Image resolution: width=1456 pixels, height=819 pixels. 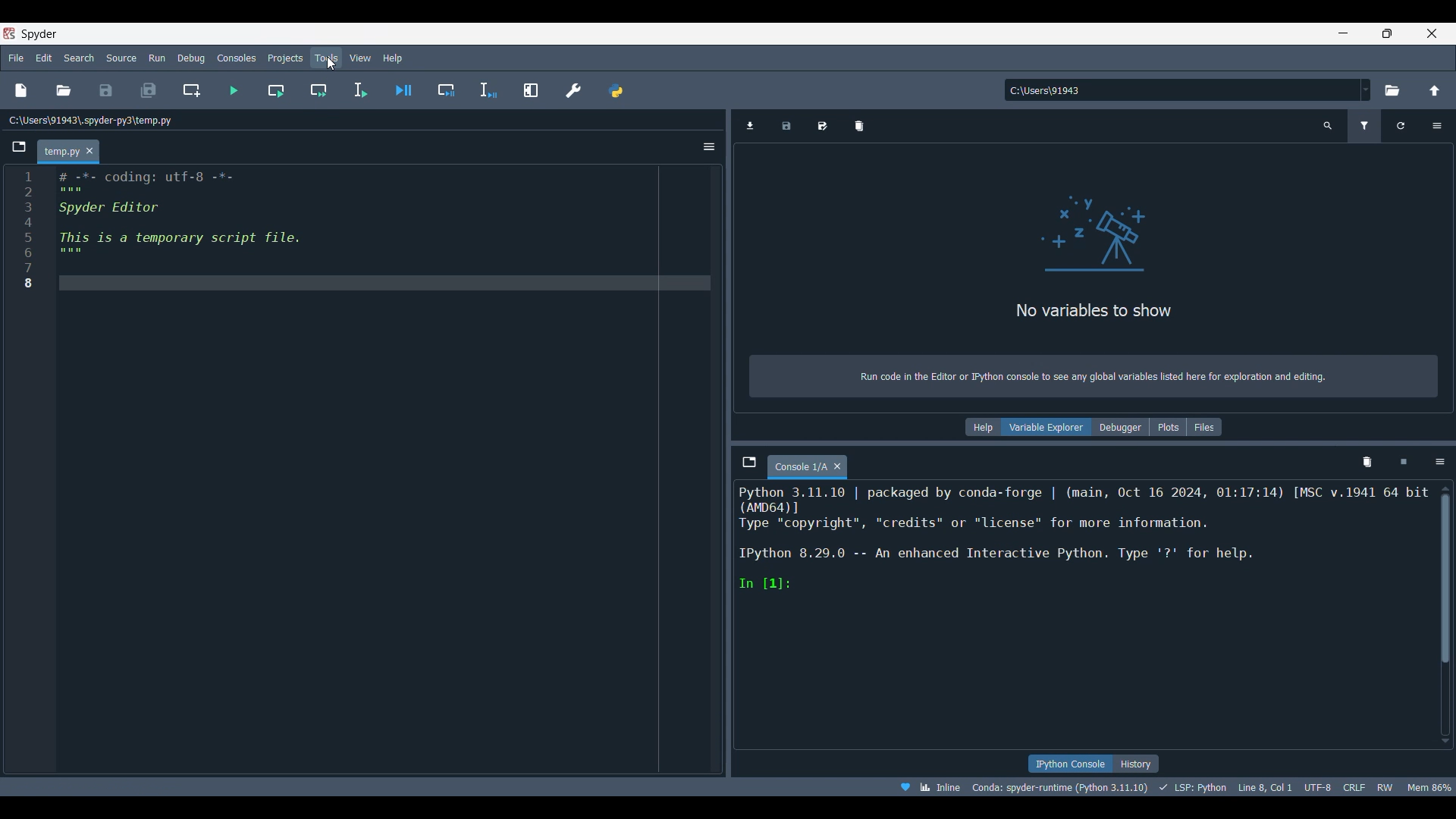 What do you see at coordinates (838, 466) in the screenshot?
I see `Close tab` at bounding box center [838, 466].